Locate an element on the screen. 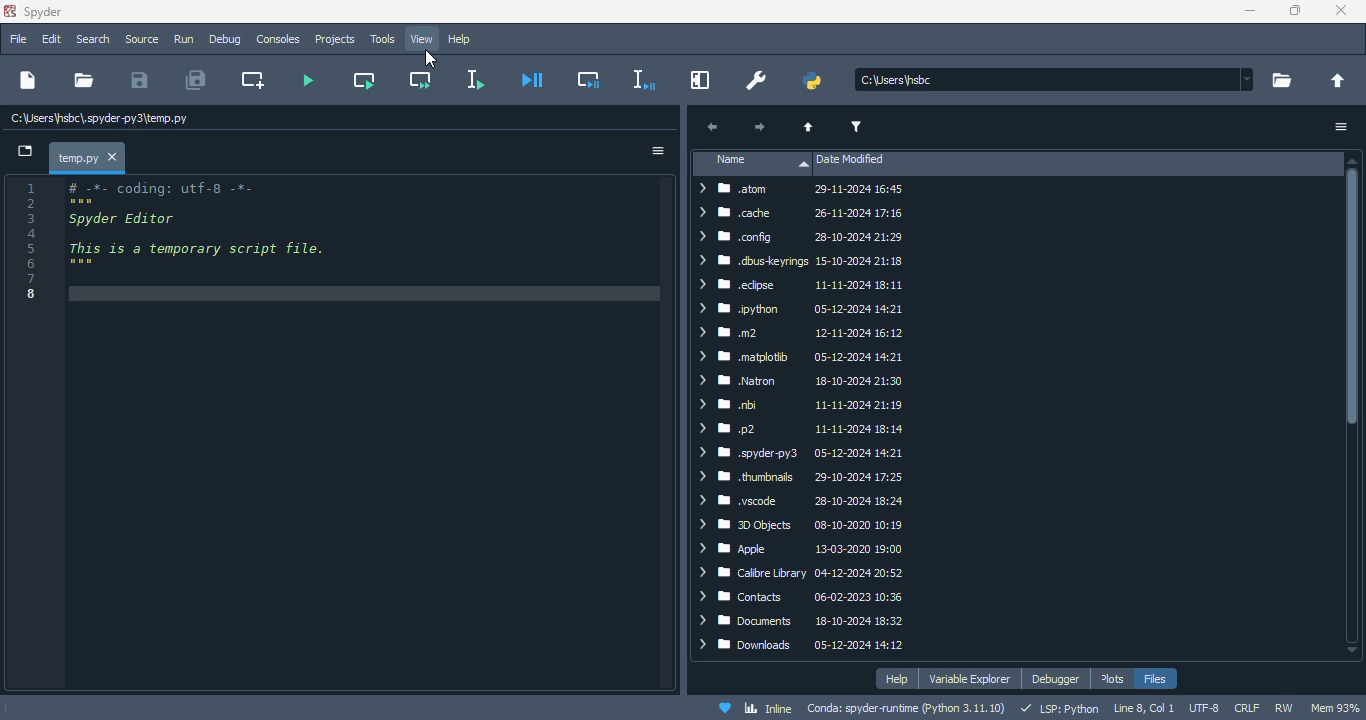 Image resolution: width=1366 pixels, height=720 pixels. mem 93% is located at coordinates (1336, 707).